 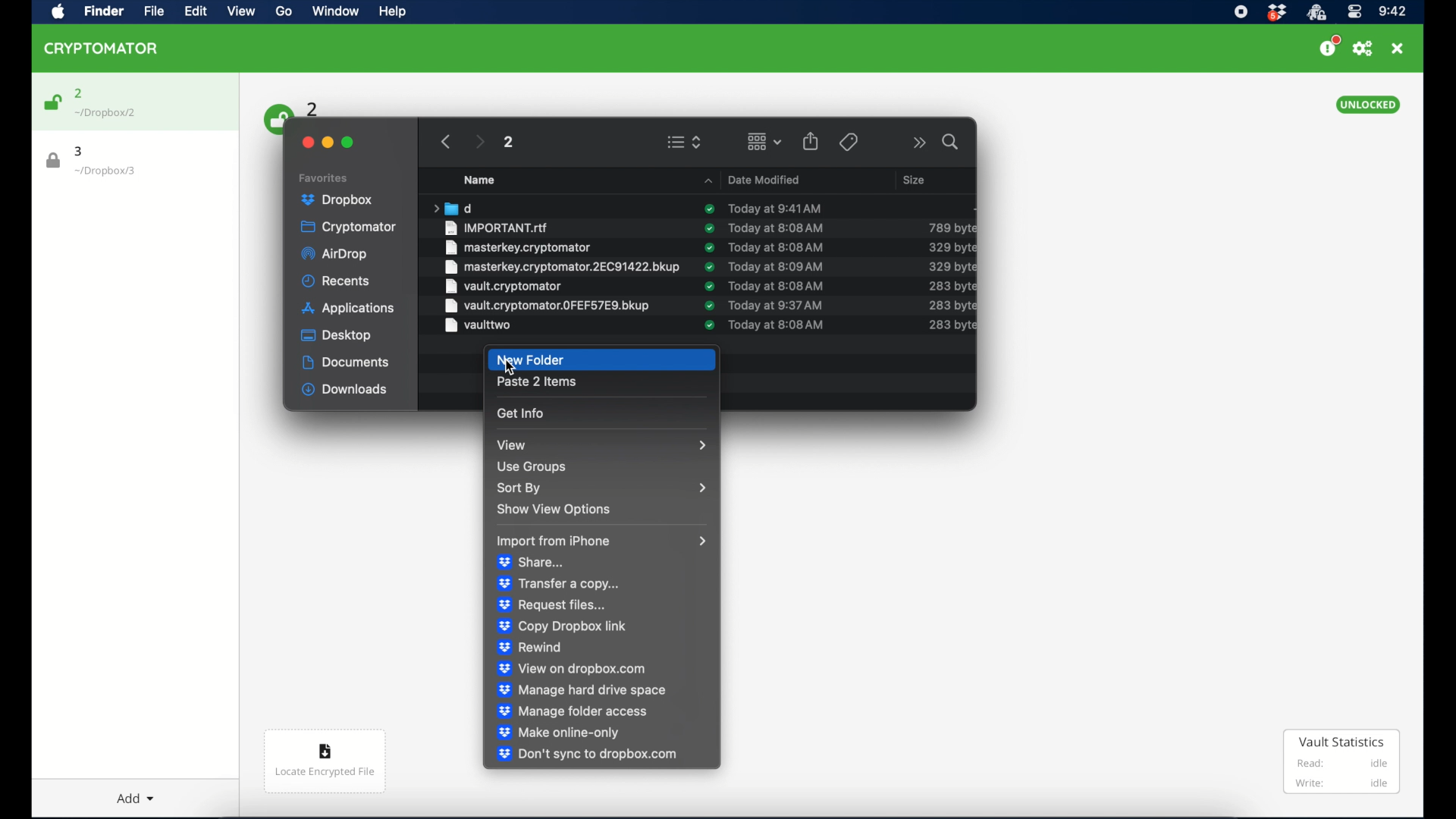 I want to click on rewind, so click(x=530, y=648).